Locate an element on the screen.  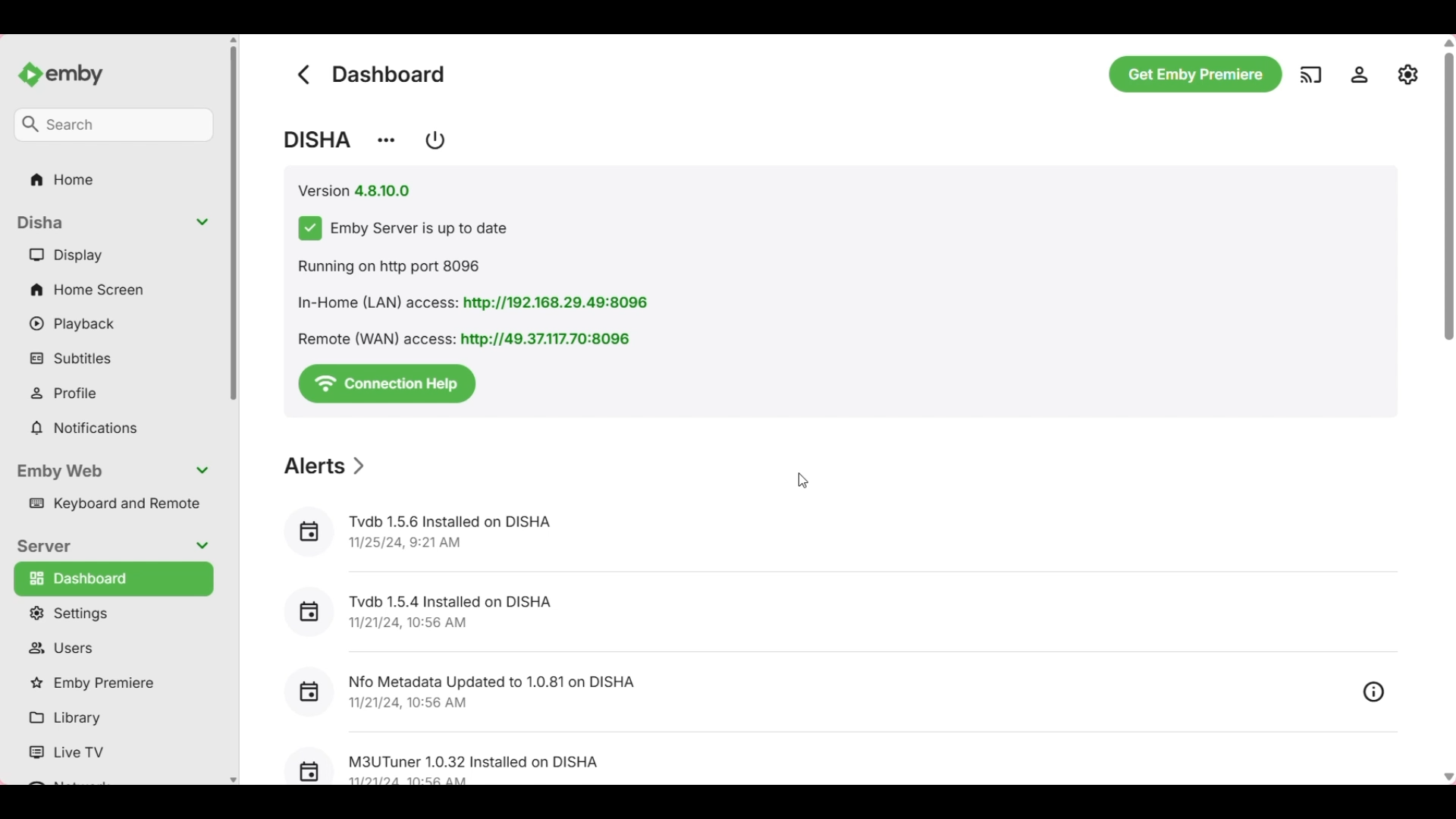
Quick slide to top of left panel is located at coordinates (233, 39).